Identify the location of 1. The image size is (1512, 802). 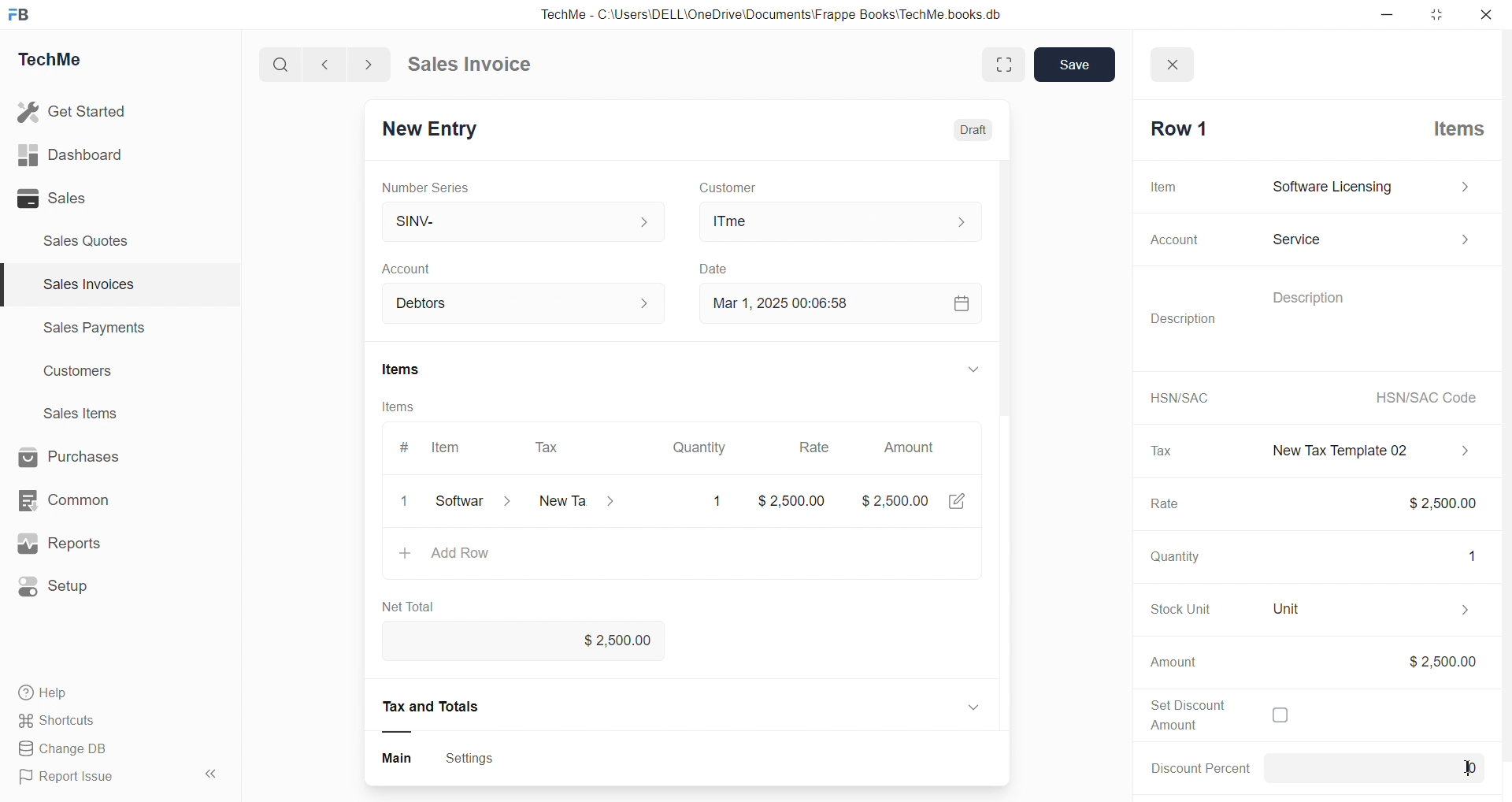
(713, 501).